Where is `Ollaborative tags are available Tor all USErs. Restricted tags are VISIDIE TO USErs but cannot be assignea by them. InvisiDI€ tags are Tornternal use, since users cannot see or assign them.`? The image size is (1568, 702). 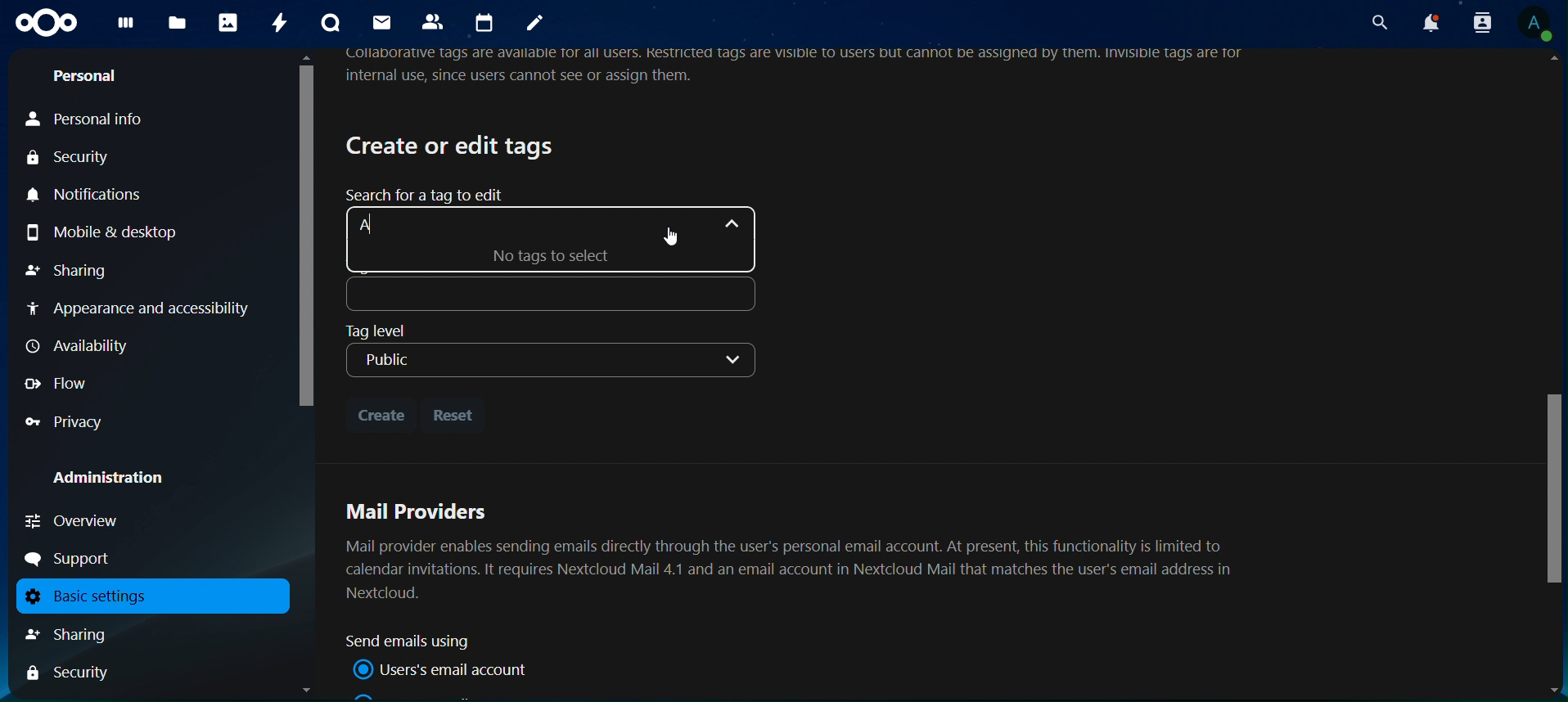 Ollaborative tags are available Tor all USErs. Restricted tags are VISIDIE TO USErs but cannot be assignea by them. InvisiDI€ tags are Tornternal use, since users cannot see or assign them. is located at coordinates (802, 68).